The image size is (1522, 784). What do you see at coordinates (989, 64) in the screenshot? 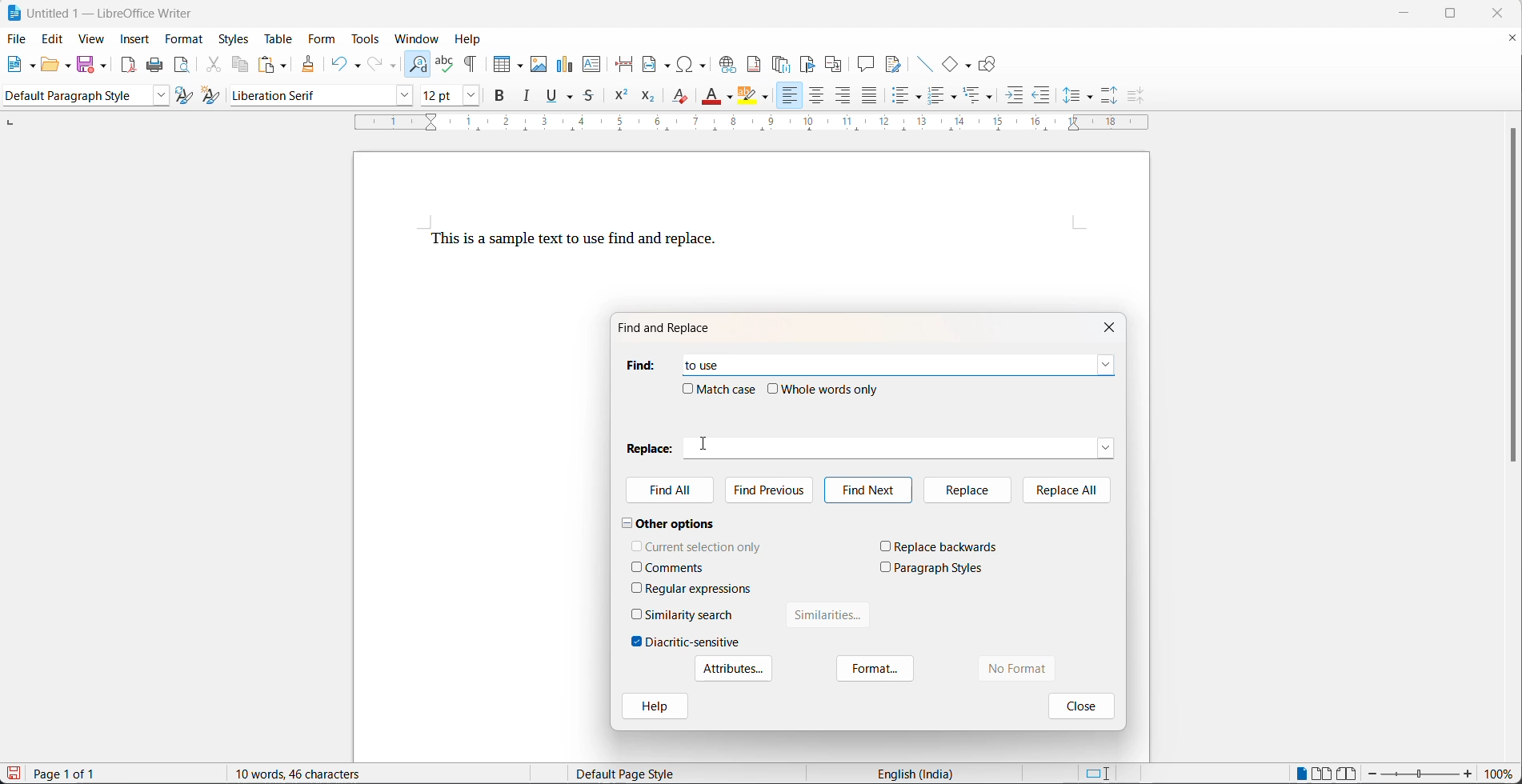
I see `show draw functions` at bounding box center [989, 64].